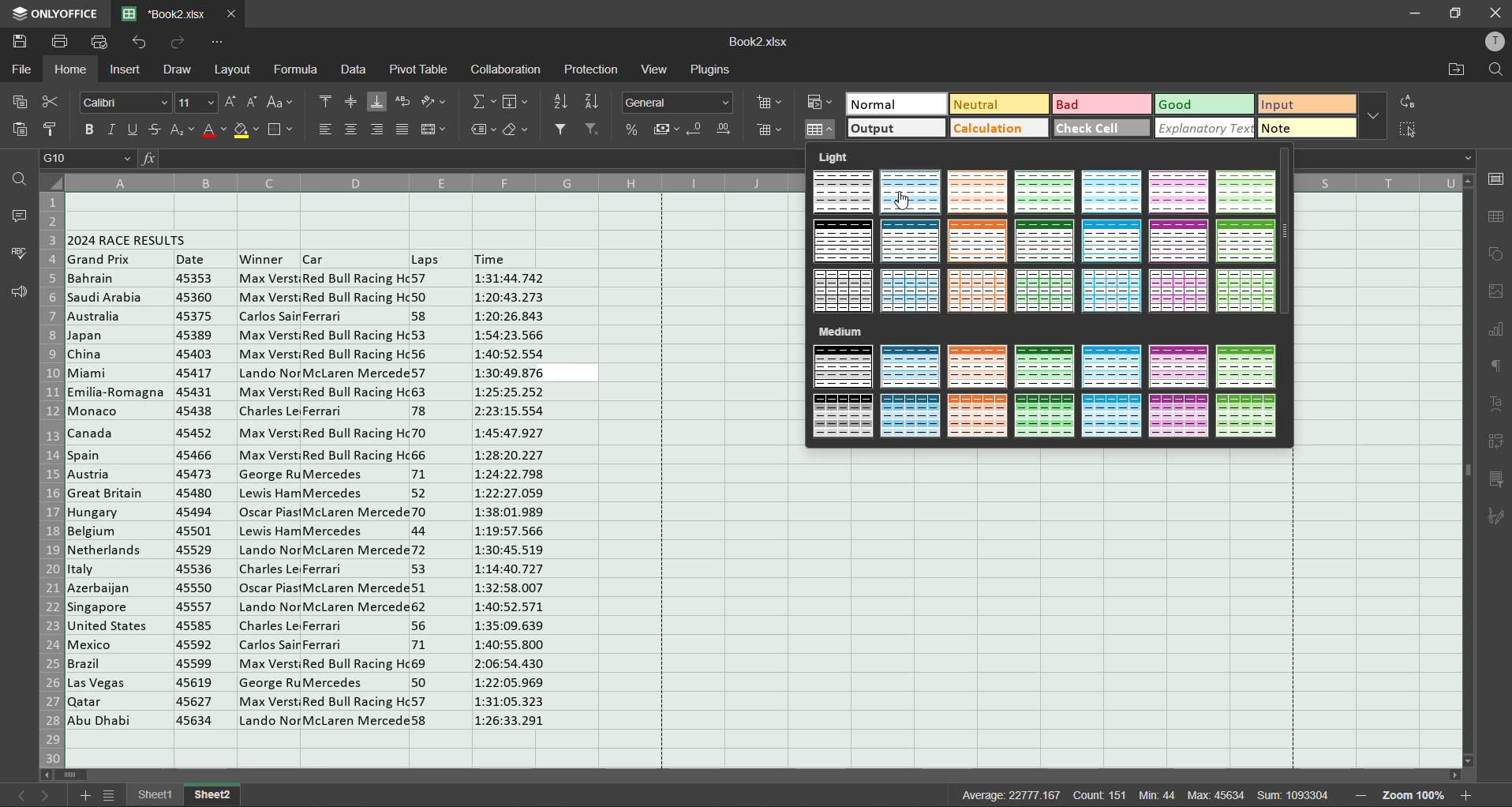 The image size is (1512, 807). I want to click on font color, so click(214, 133).